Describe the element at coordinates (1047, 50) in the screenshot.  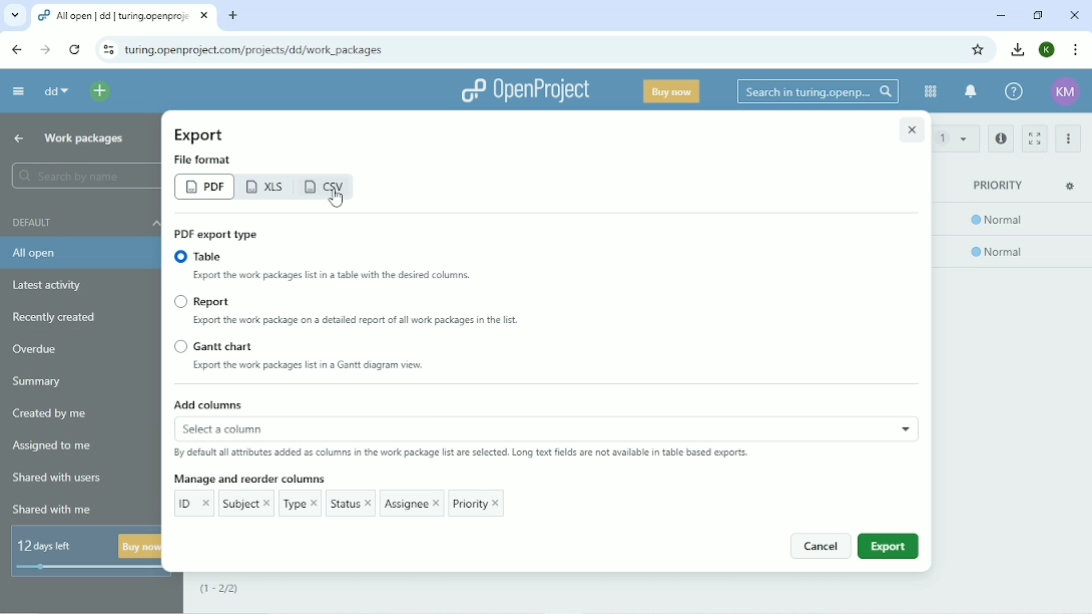
I see `K` at that location.